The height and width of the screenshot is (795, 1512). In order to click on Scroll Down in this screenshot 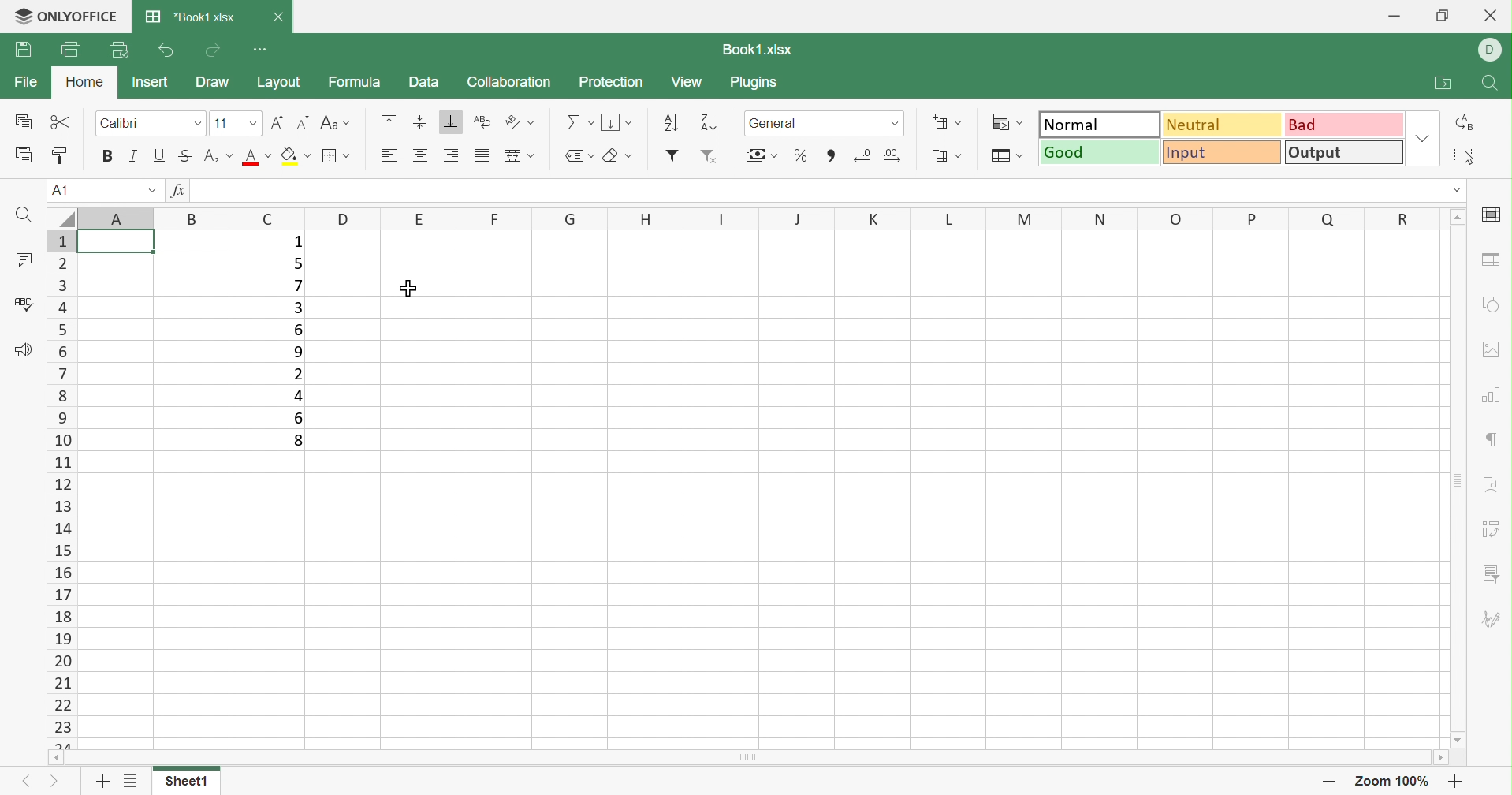, I will do `click(1452, 739)`.